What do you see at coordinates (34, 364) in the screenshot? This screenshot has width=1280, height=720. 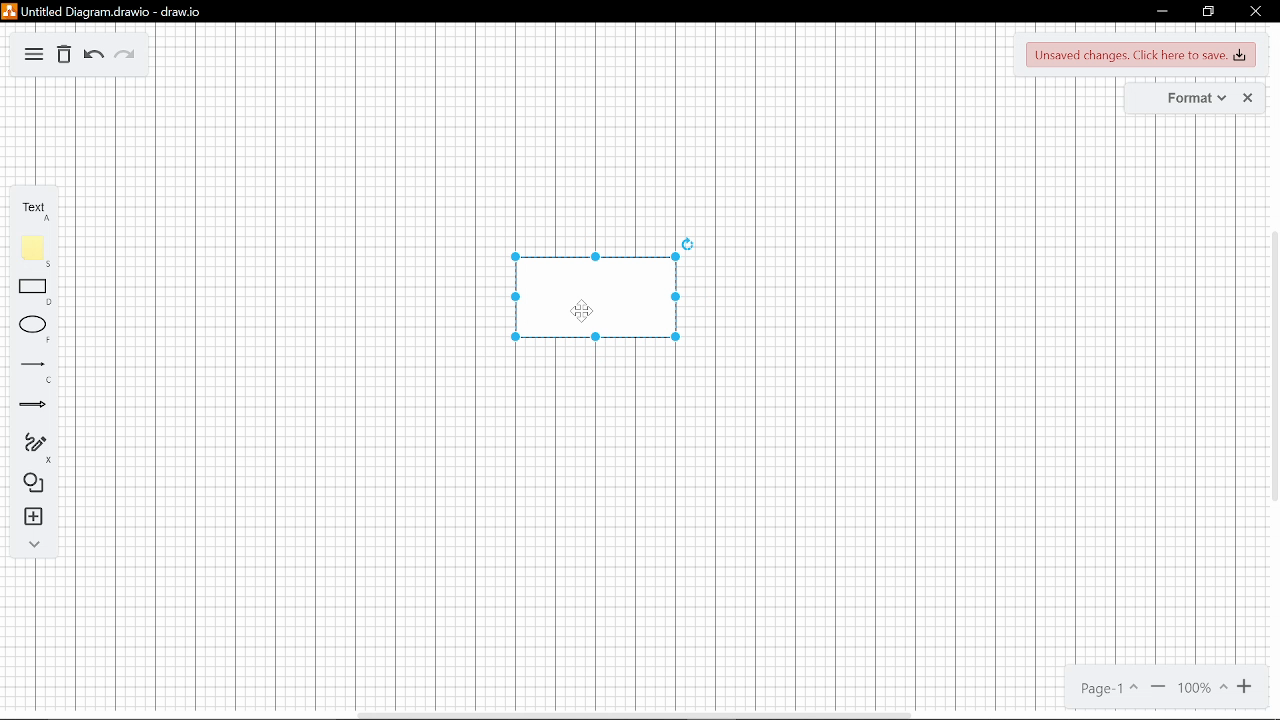 I see `line` at bounding box center [34, 364].